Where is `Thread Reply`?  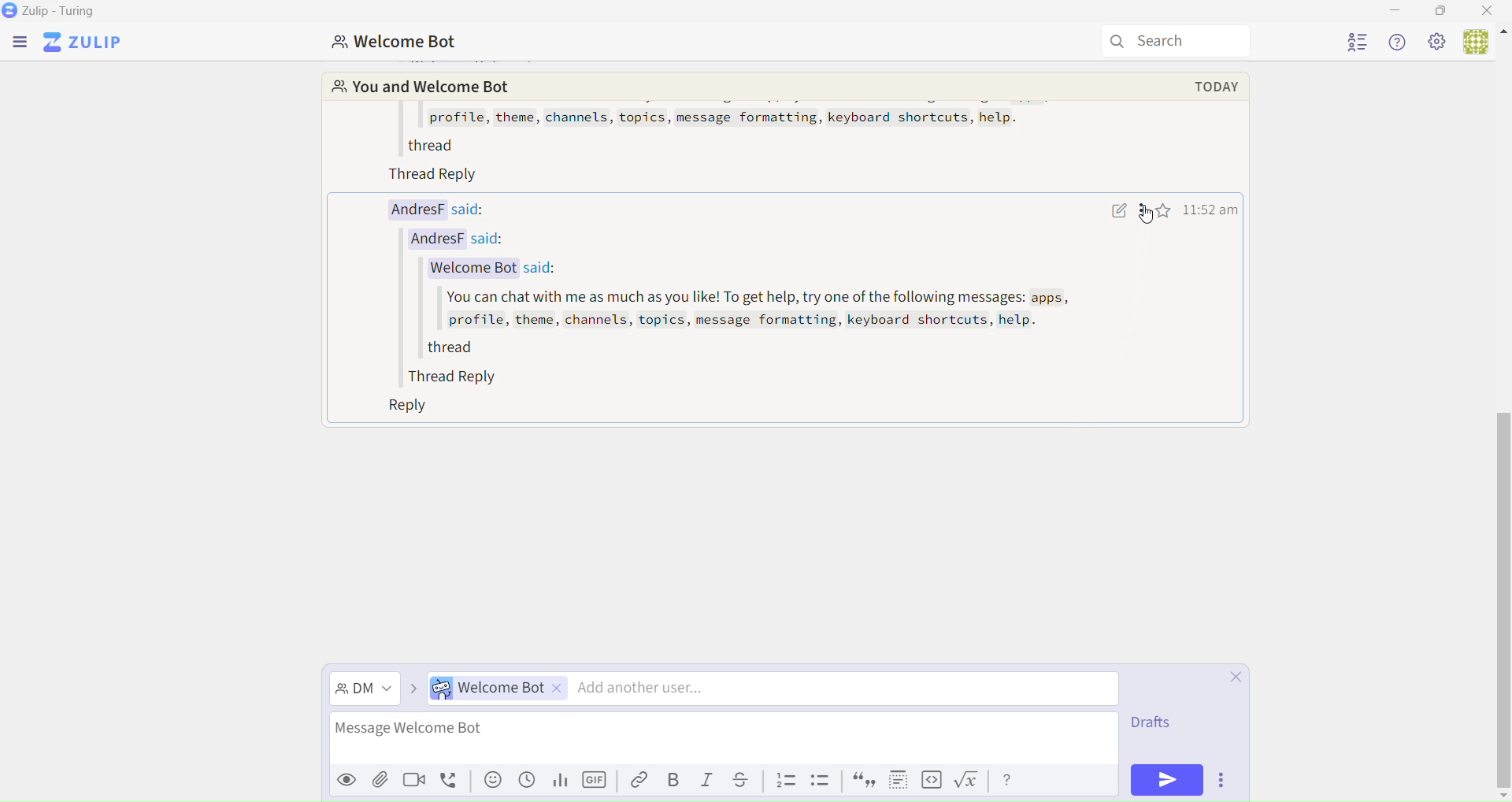
Thread Reply is located at coordinates (440, 177).